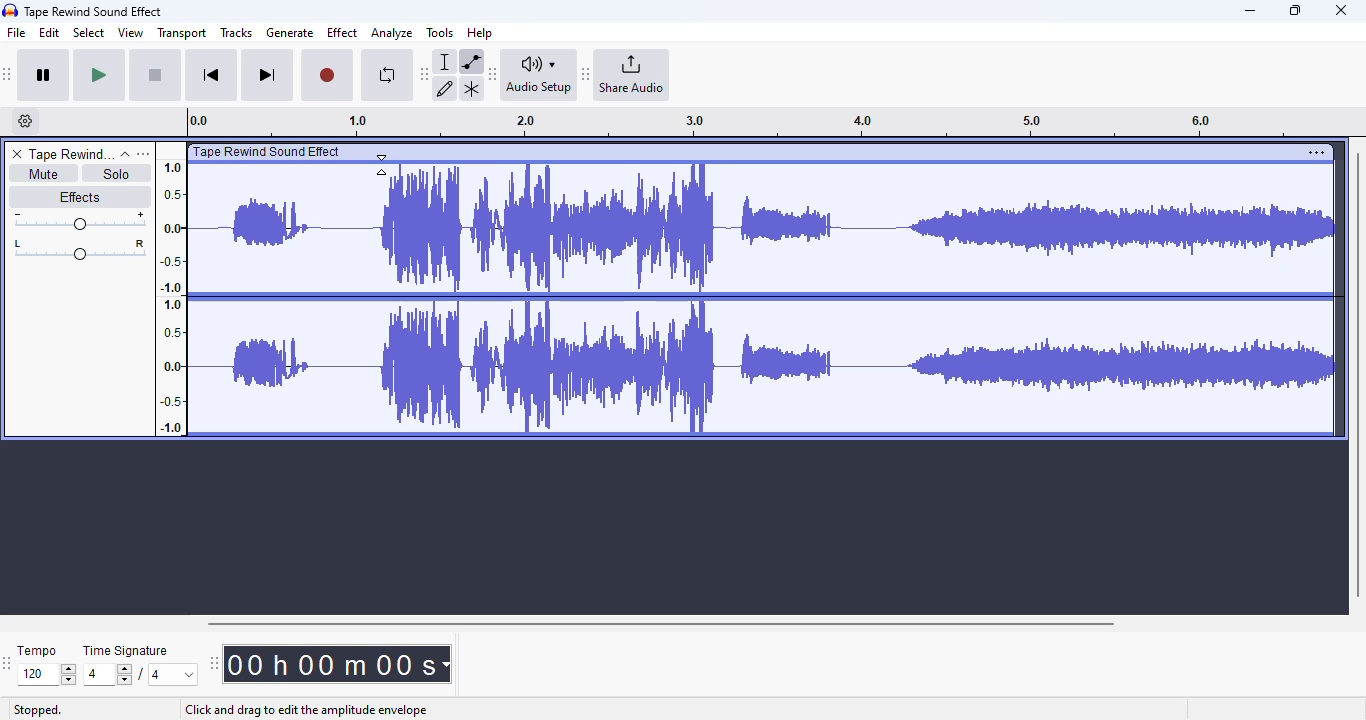 The width and height of the screenshot is (1366, 720). I want to click on time signature, so click(126, 651).